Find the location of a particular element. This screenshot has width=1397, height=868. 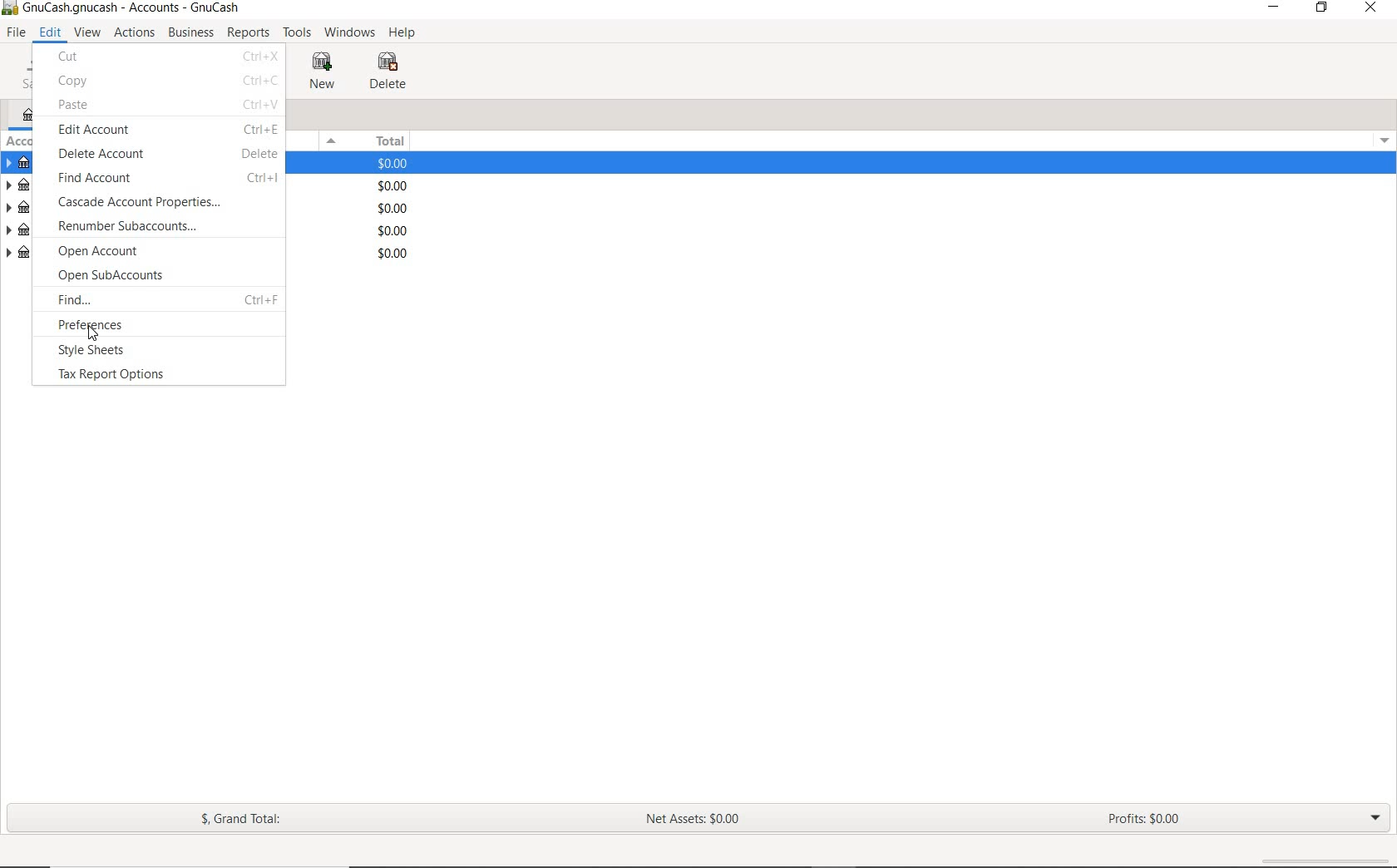

EXPAND is located at coordinates (1376, 820).